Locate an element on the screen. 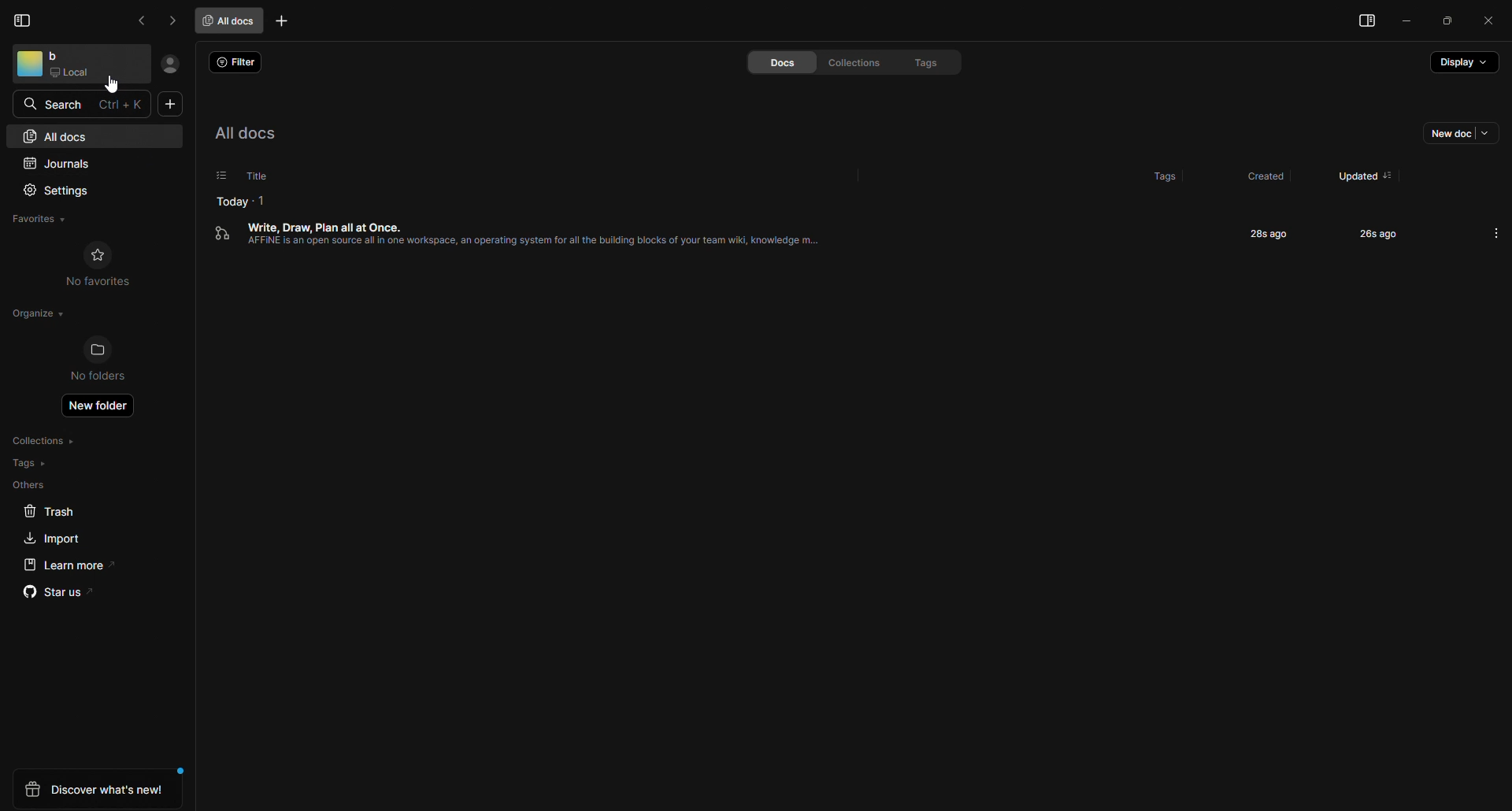 The height and width of the screenshot is (811, 1512). no favorites is located at coordinates (99, 265).